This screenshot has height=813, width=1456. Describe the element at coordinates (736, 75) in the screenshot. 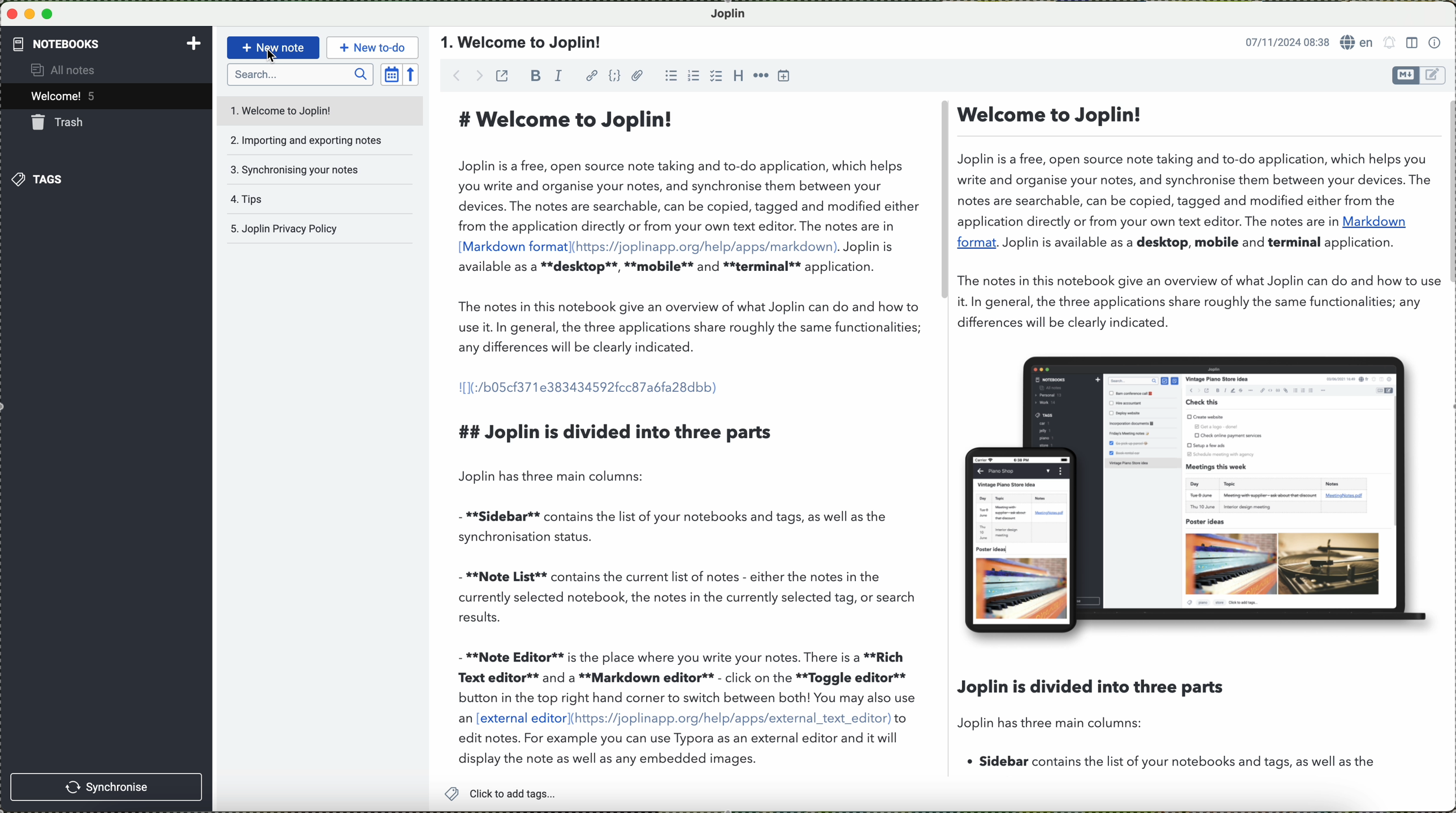

I see `heading` at that location.